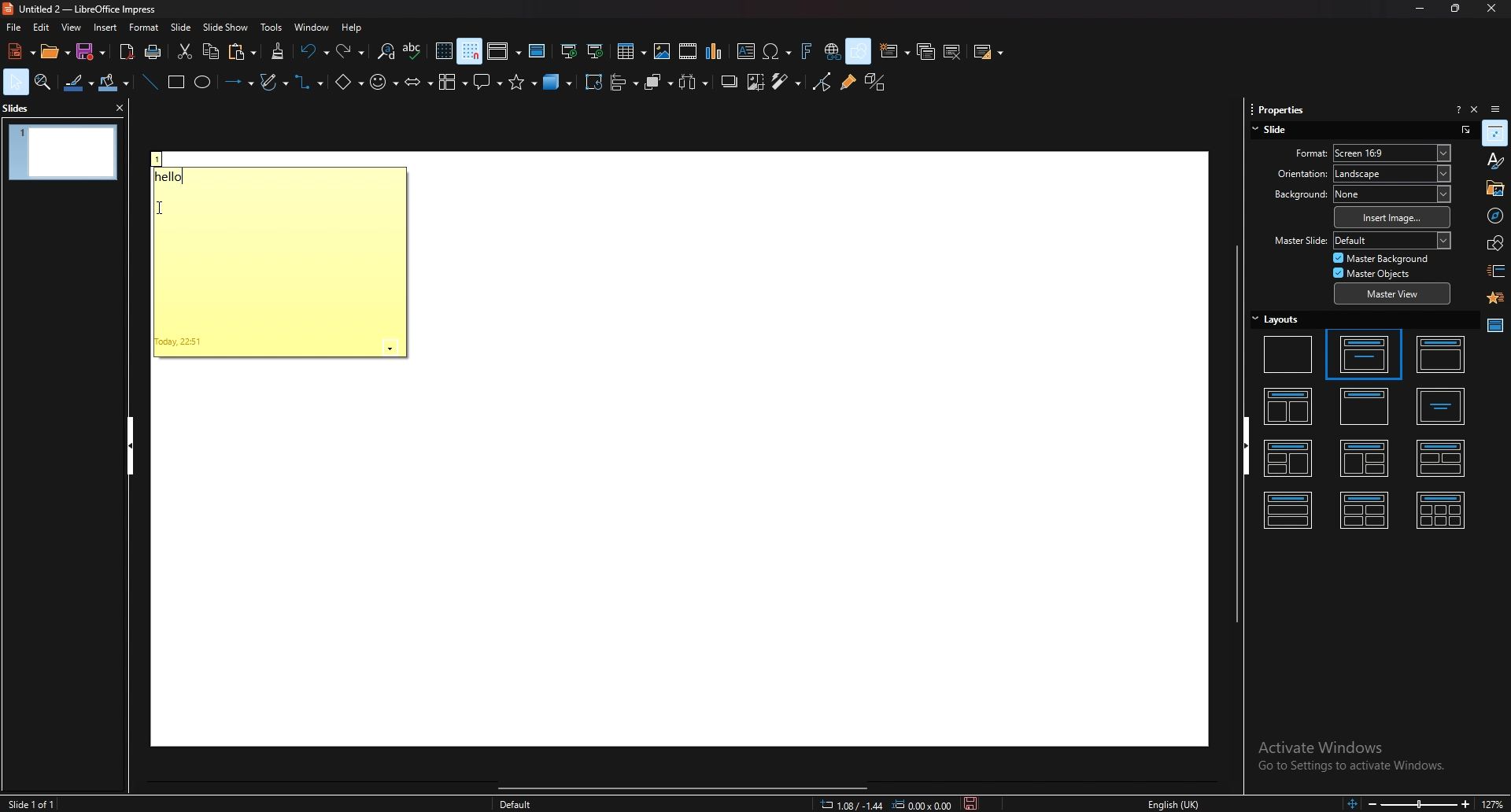 The height and width of the screenshot is (812, 1511). What do you see at coordinates (63, 153) in the screenshot?
I see `slide preview` at bounding box center [63, 153].